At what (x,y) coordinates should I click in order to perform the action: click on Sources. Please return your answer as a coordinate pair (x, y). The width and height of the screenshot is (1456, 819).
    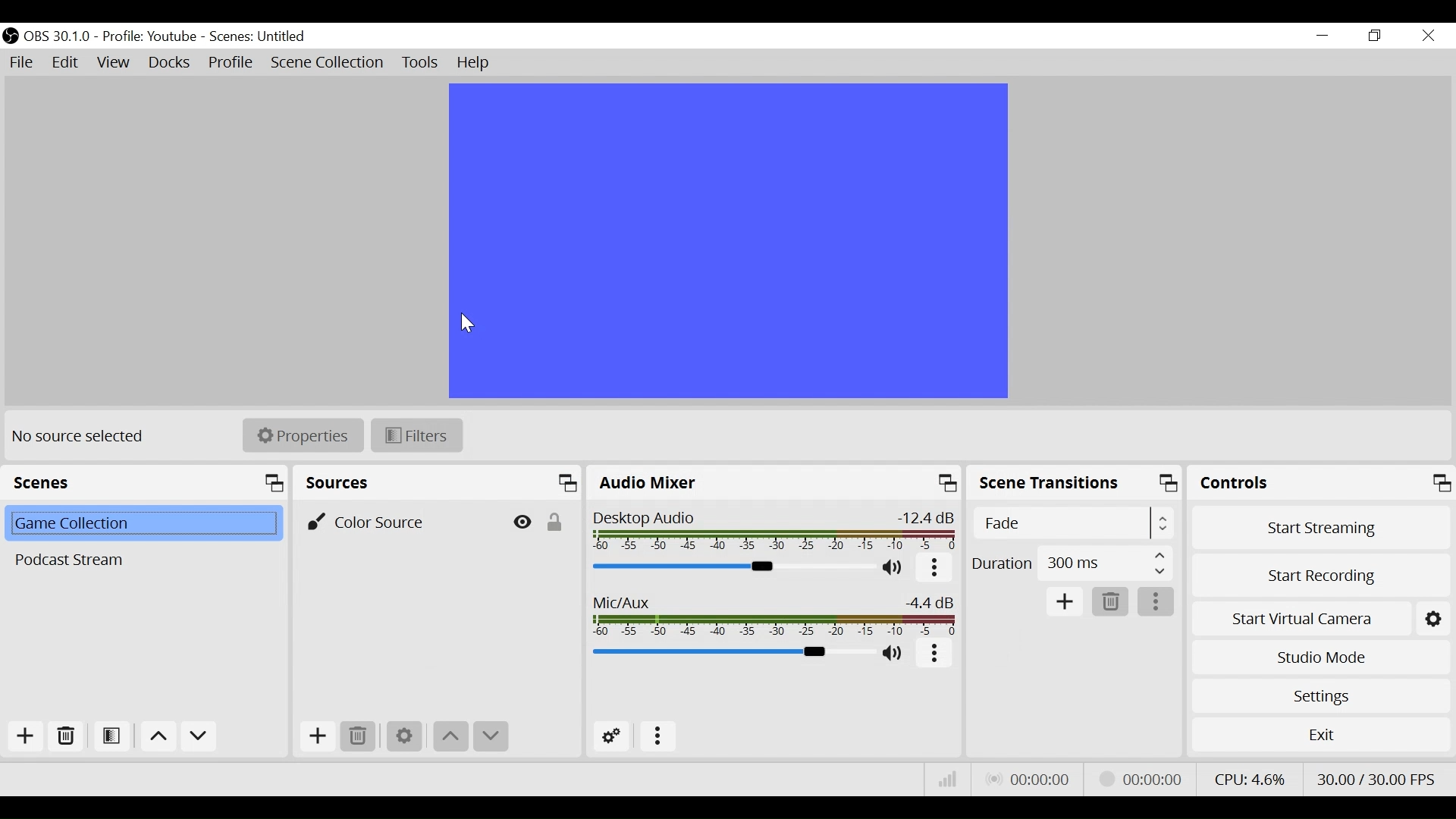
    Looking at the image, I should click on (439, 482).